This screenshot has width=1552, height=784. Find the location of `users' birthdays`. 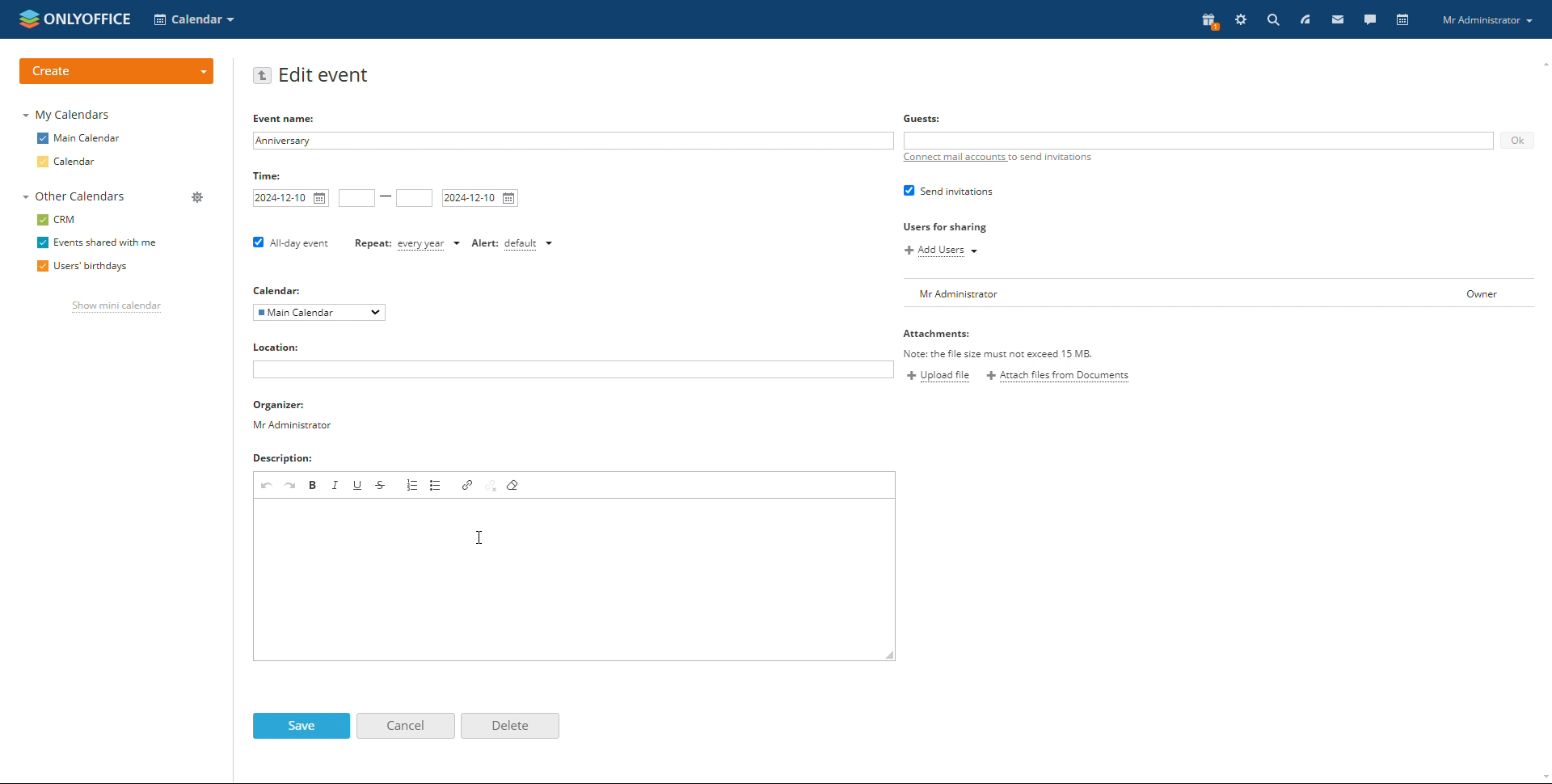

users' birthdays is located at coordinates (81, 268).